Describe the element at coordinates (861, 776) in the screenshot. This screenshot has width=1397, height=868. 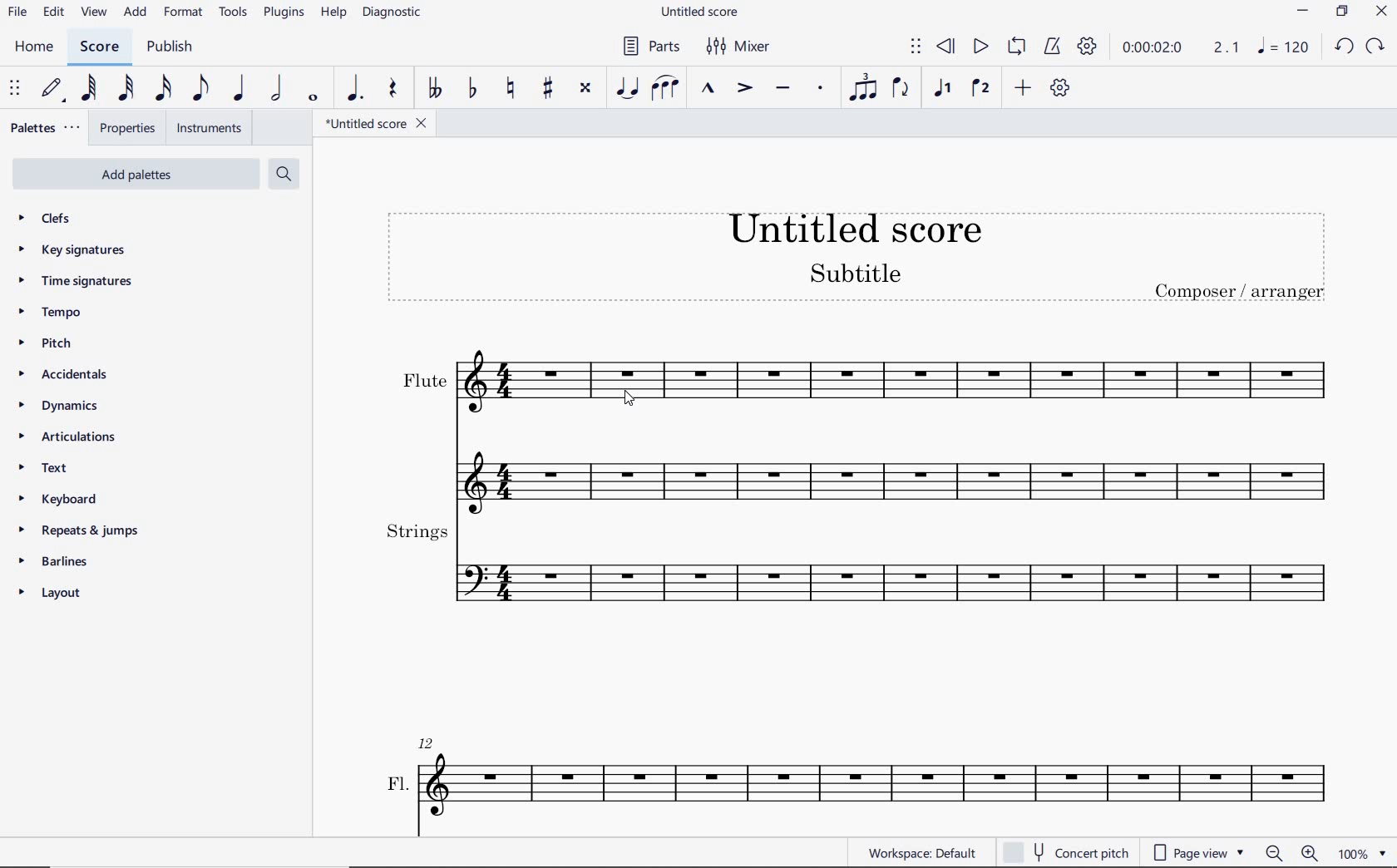
I see `fl.` at that location.